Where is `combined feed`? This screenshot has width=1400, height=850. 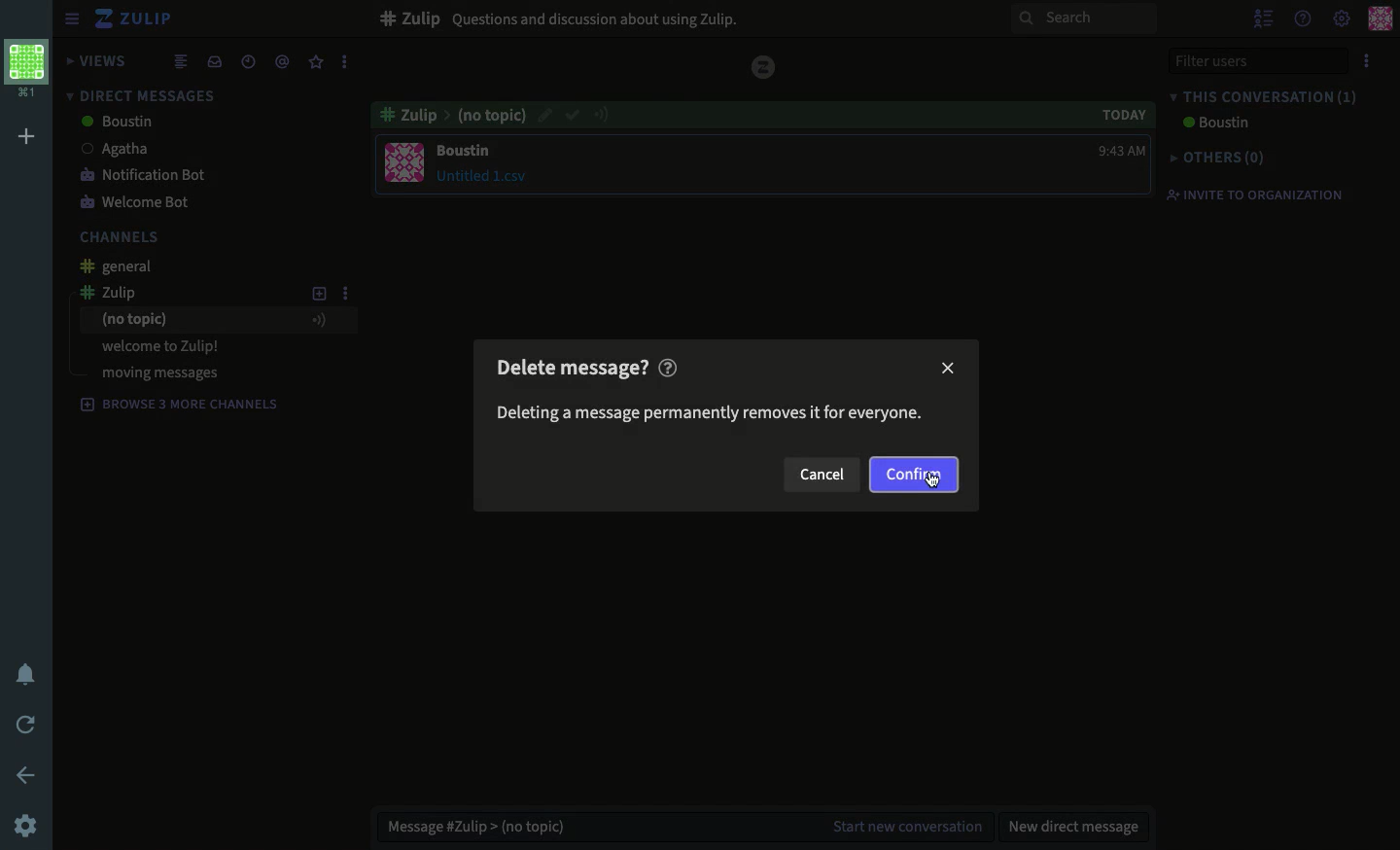
combined feed is located at coordinates (181, 62).